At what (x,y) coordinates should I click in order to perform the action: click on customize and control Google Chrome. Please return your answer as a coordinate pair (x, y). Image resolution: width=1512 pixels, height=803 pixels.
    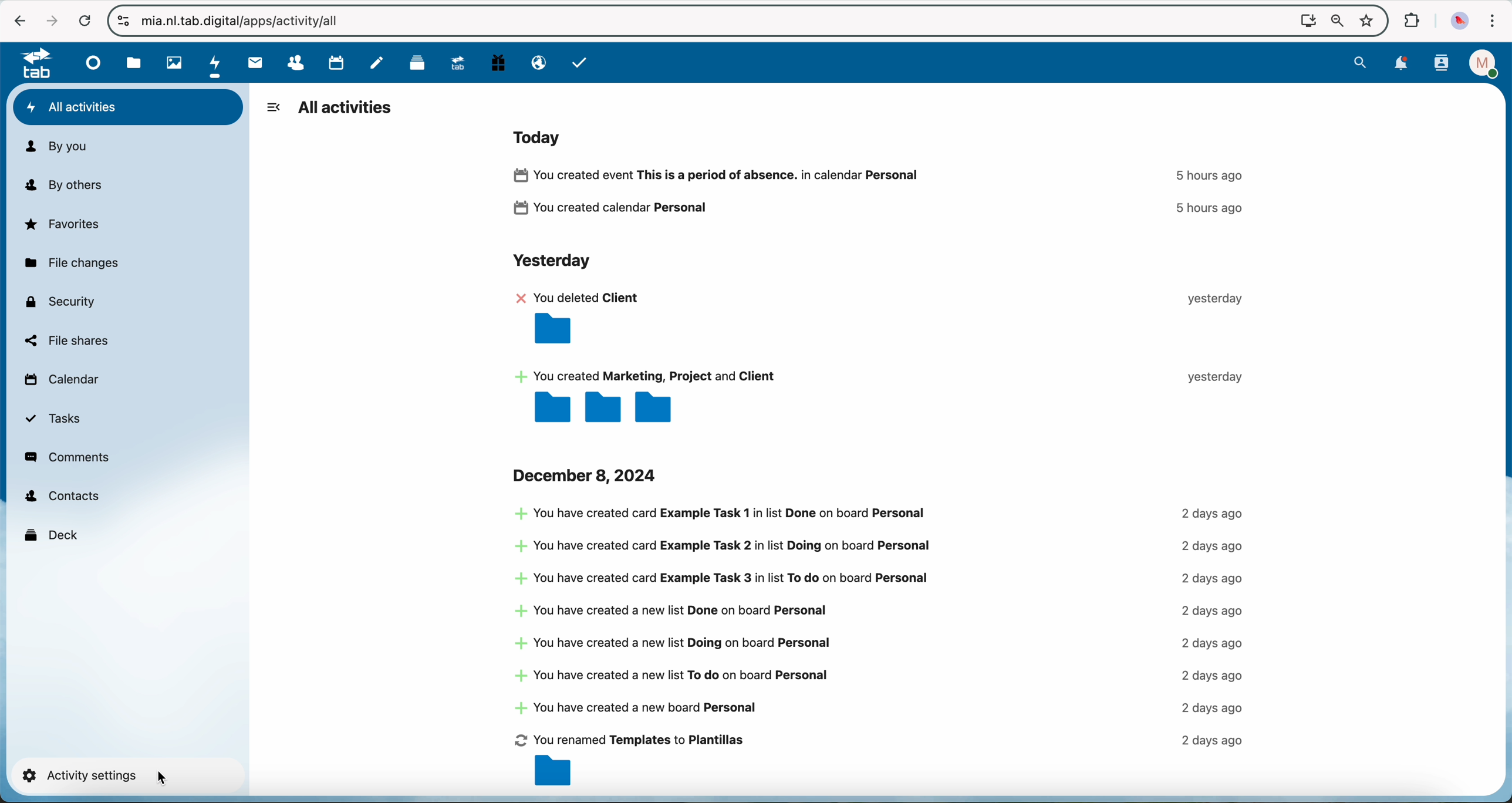
    Looking at the image, I should click on (1493, 22).